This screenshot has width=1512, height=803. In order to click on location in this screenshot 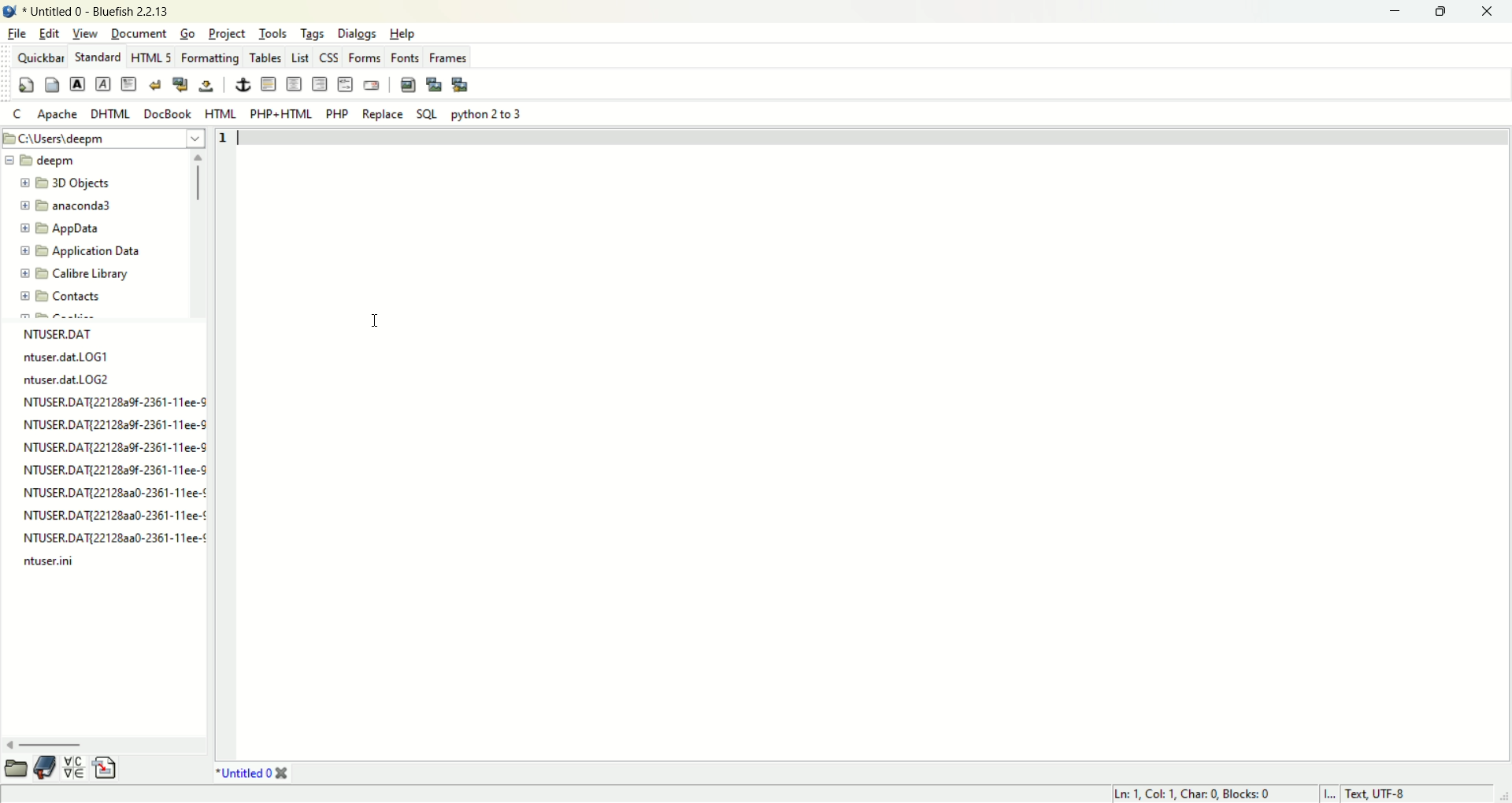, I will do `click(102, 141)`.